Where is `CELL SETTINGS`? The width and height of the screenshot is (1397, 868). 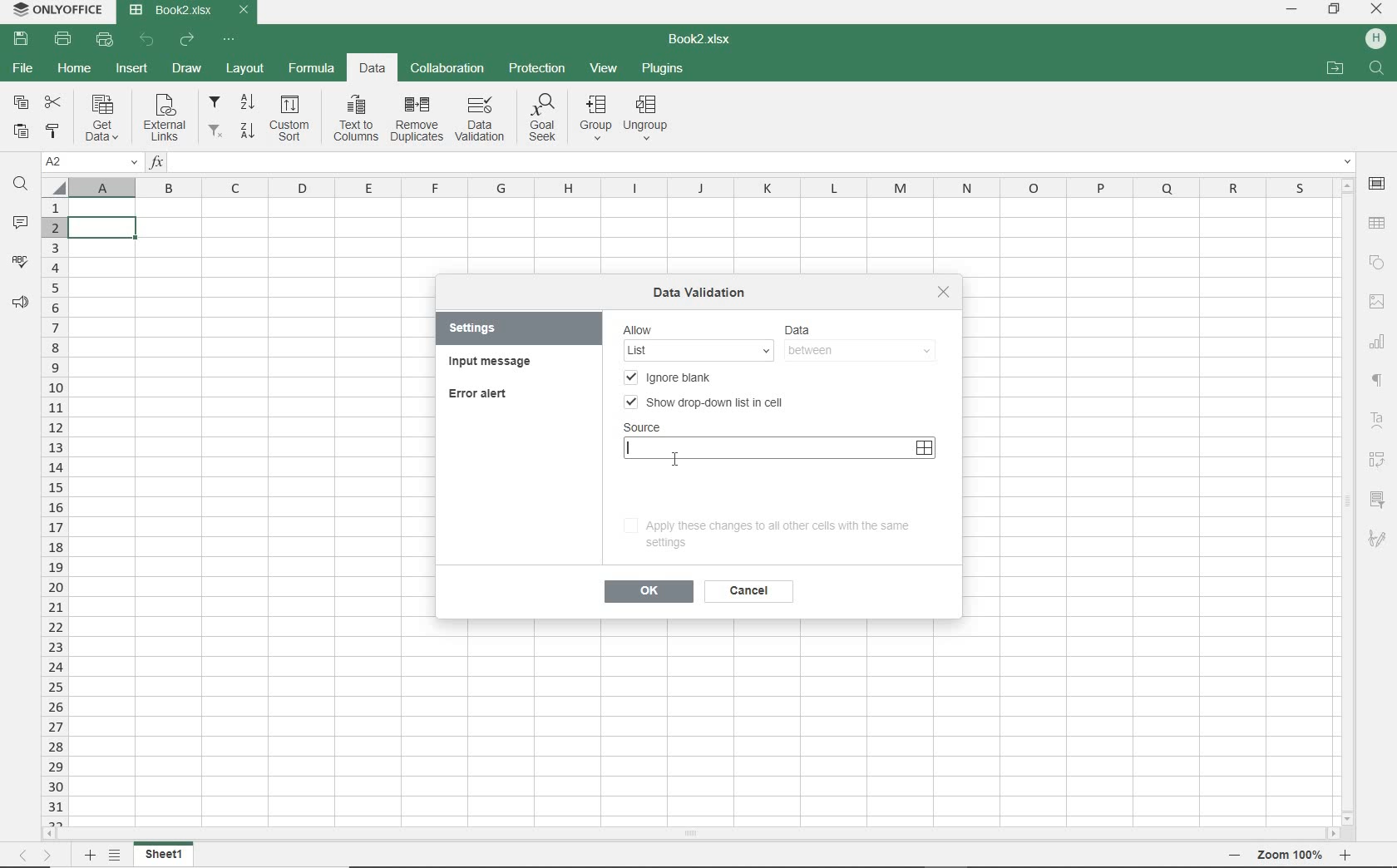
CELL SETTINGS is located at coordinates (1377, 184).